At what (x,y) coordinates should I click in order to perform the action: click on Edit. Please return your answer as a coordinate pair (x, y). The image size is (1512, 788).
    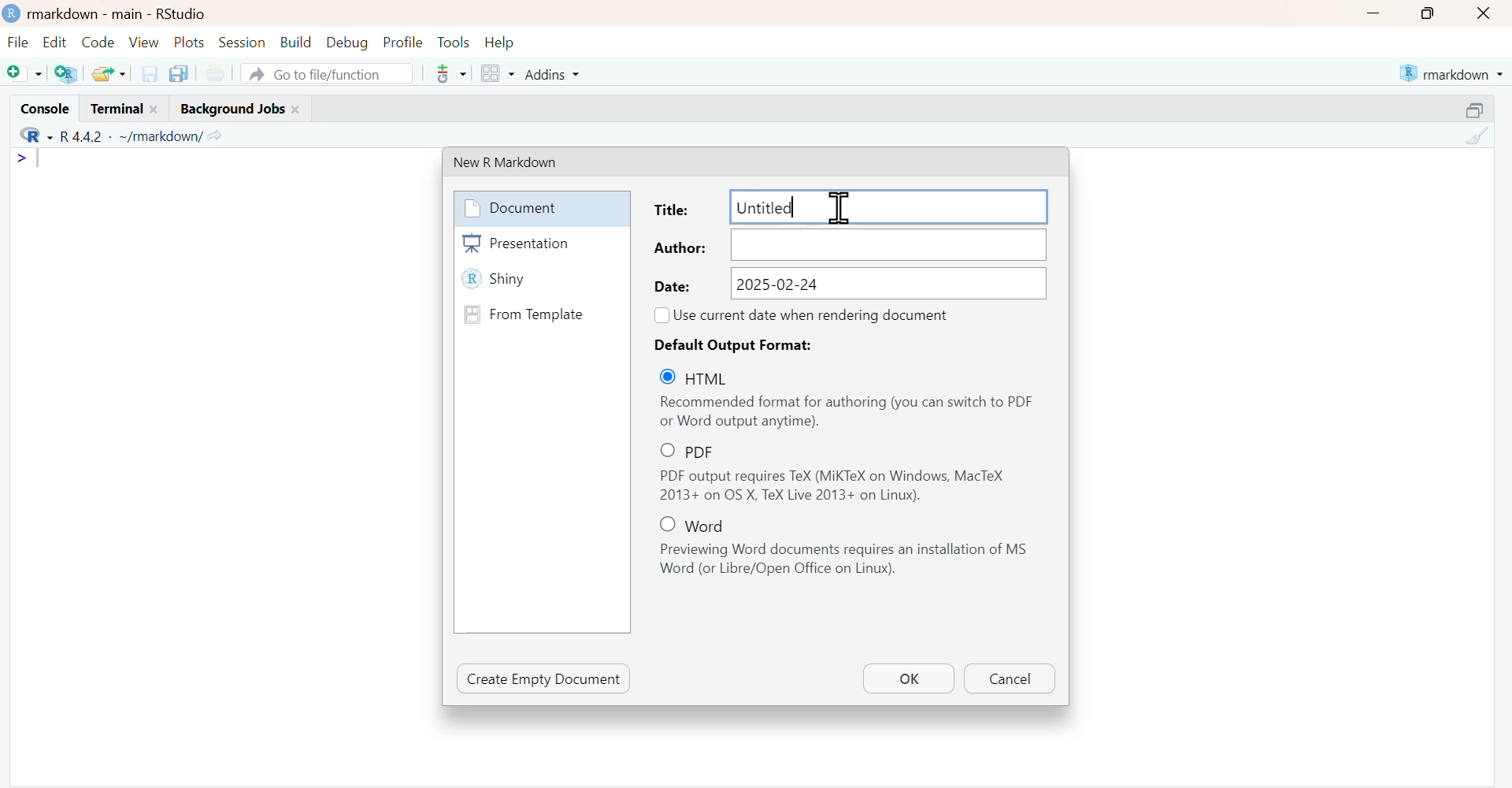
    Looking at the image, I should click on (54, 43).